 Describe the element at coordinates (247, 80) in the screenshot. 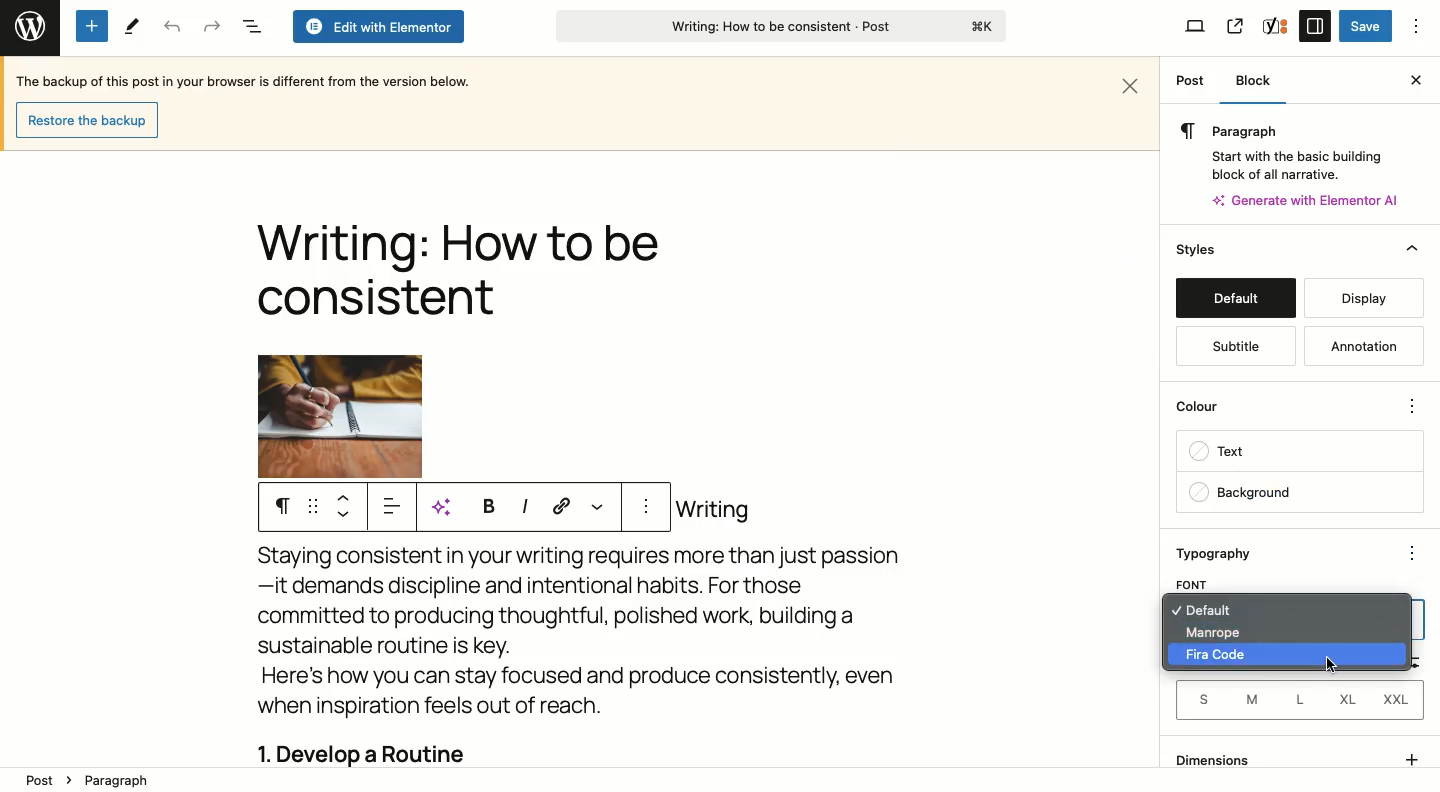

I see `Backup text` at that location.